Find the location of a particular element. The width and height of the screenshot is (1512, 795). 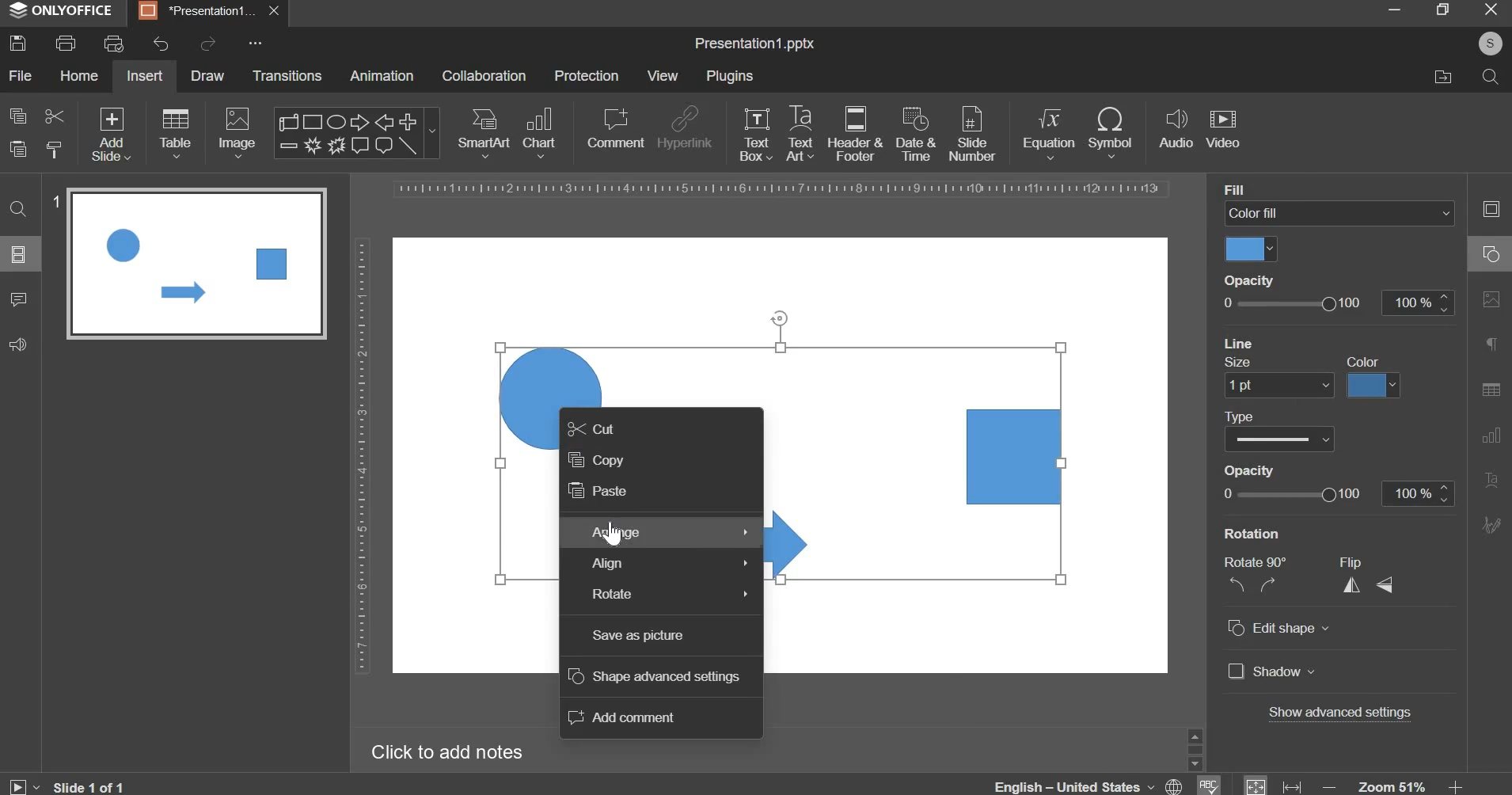

Presentation1.pptx is located at coordinates (754, 44).